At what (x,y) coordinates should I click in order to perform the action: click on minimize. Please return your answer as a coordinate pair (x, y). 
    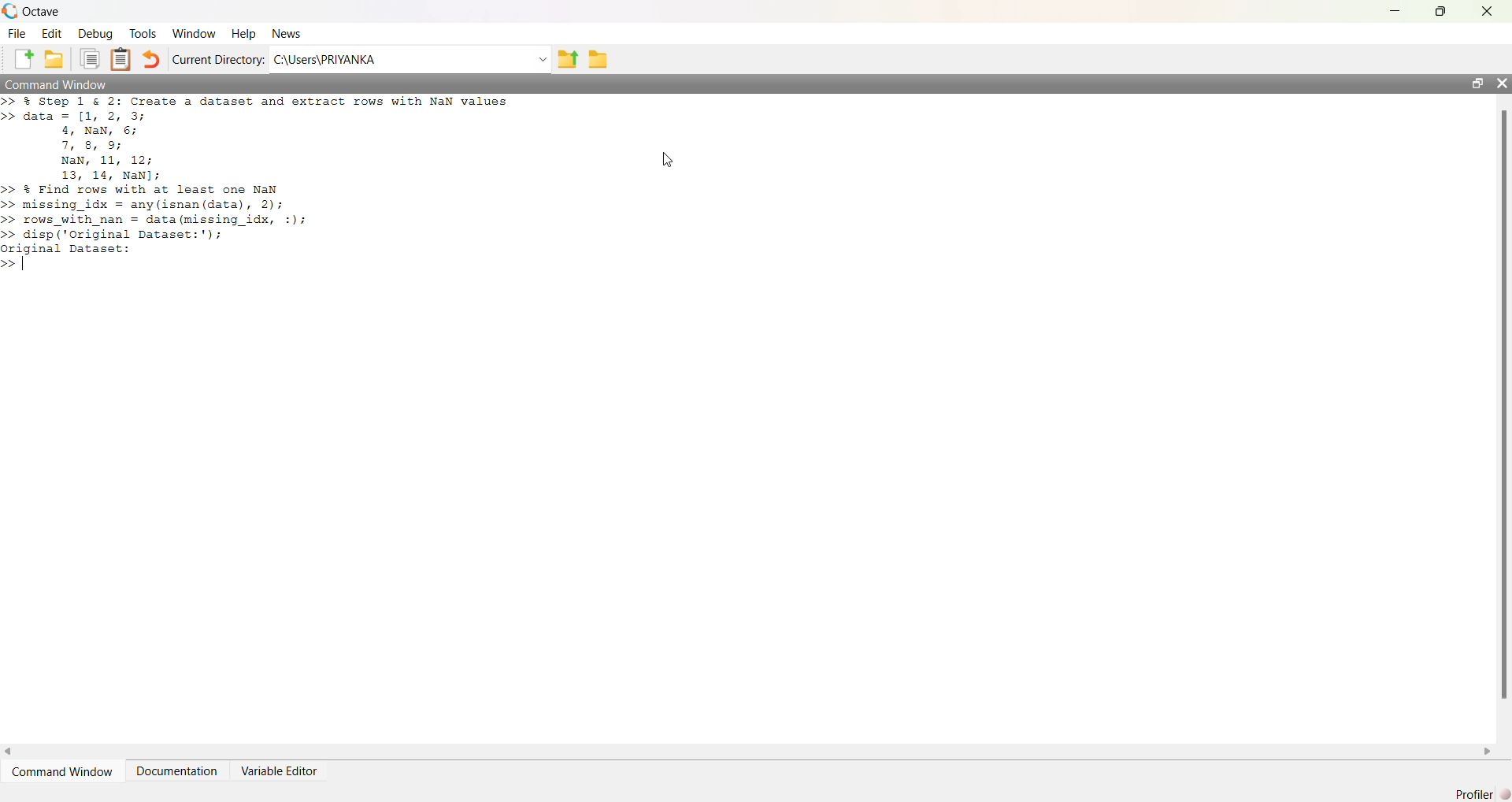
    Looking at the image, I should click on (1395, 11).